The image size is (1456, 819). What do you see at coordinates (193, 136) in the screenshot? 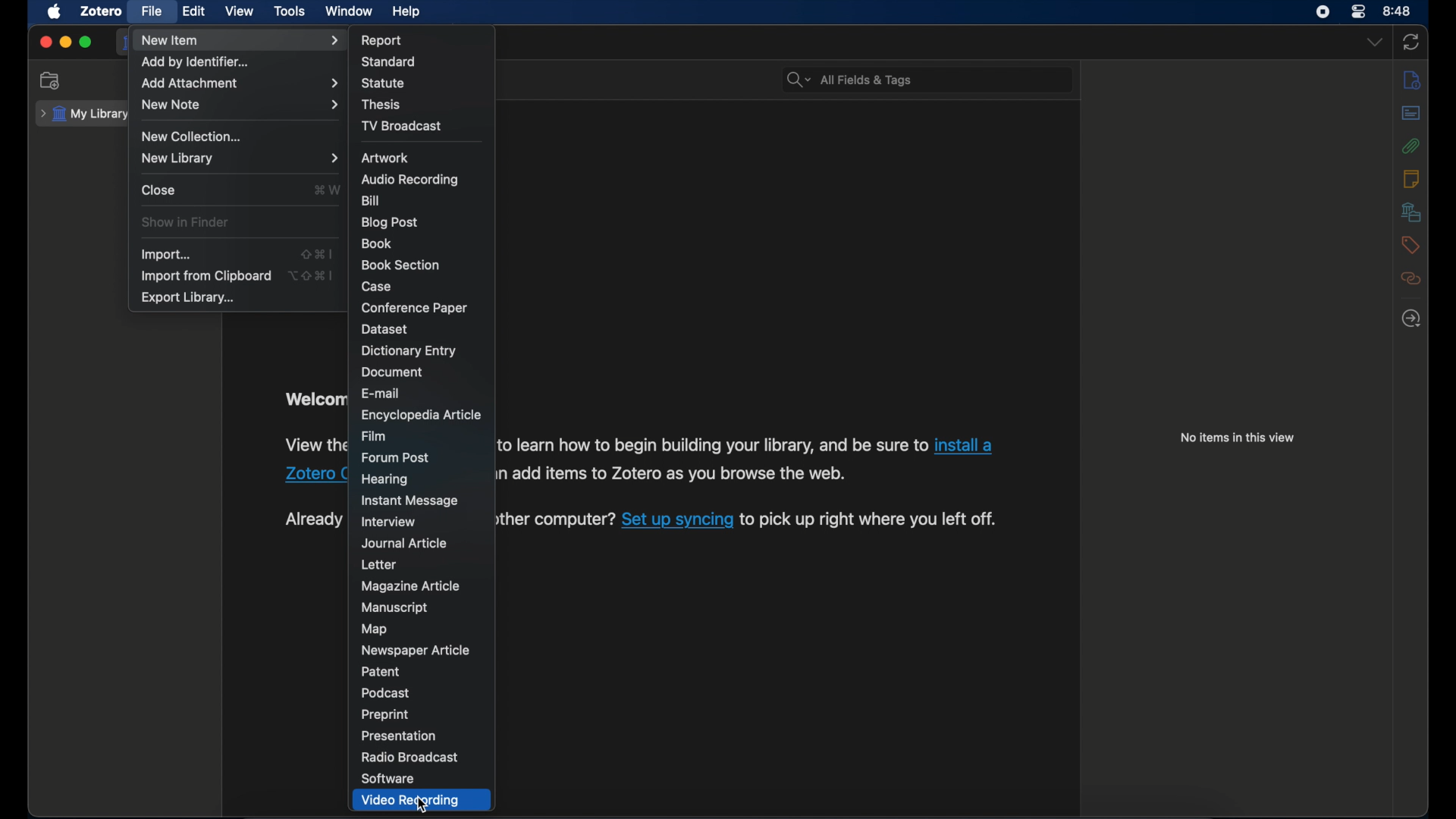
I see `new collection` at bounding box center [193, 136].